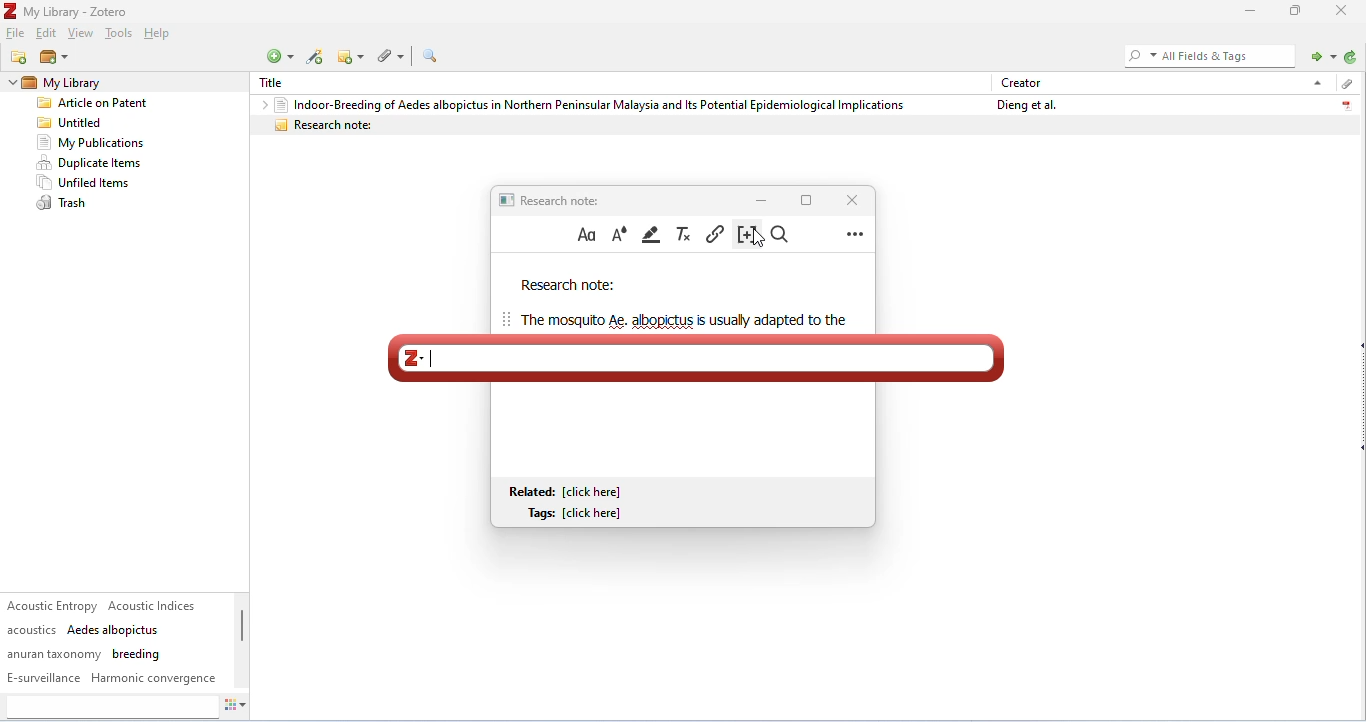 The width and height of the screenshot is (1366, 722). Describe the element at coordinates (1351, 57) in the screenshot. I see `sync with zotero.org` at that location.